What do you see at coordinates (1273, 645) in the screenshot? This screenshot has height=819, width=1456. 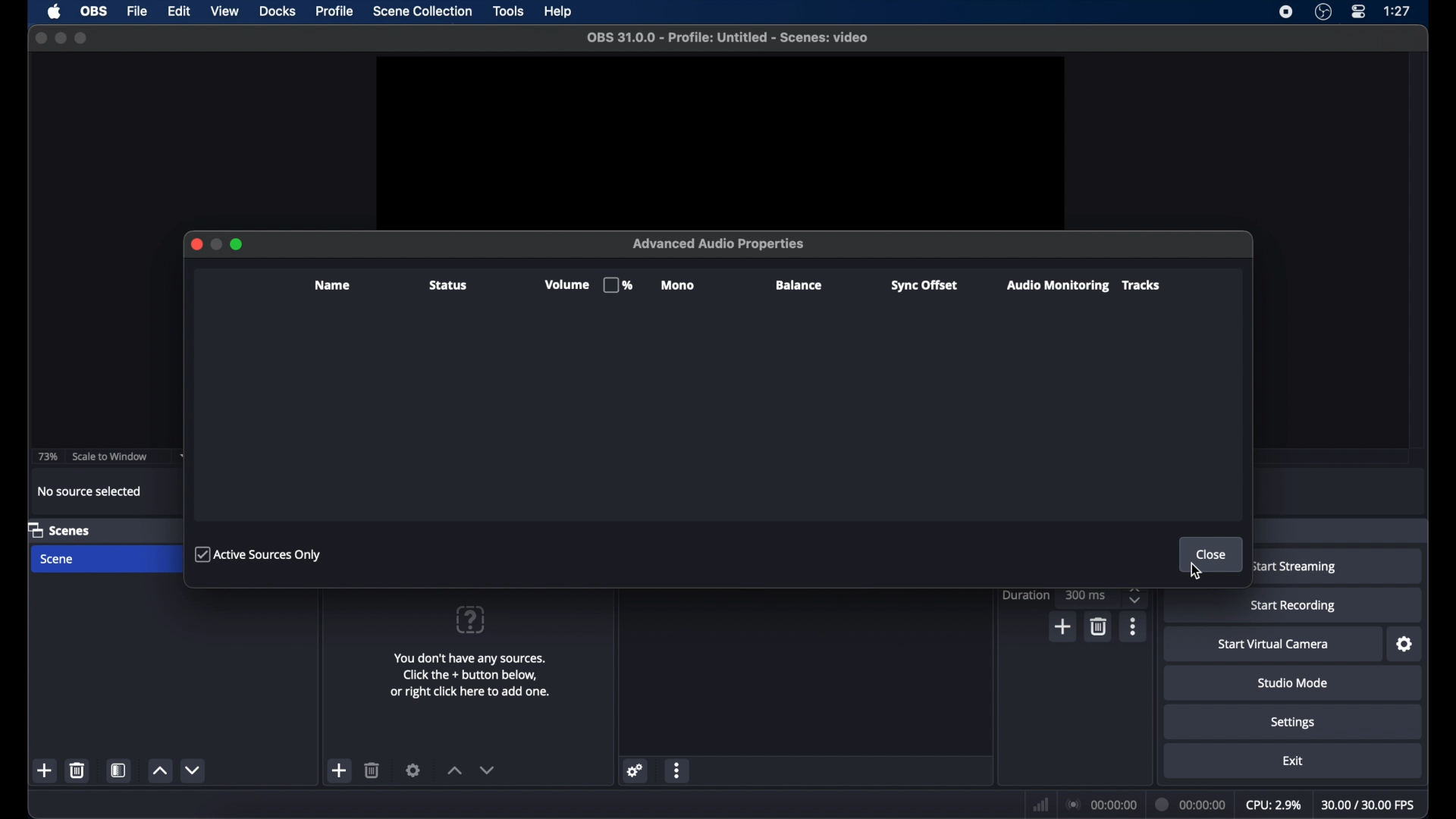 I see `start virtual camera` at bounding box center [1273, 645].